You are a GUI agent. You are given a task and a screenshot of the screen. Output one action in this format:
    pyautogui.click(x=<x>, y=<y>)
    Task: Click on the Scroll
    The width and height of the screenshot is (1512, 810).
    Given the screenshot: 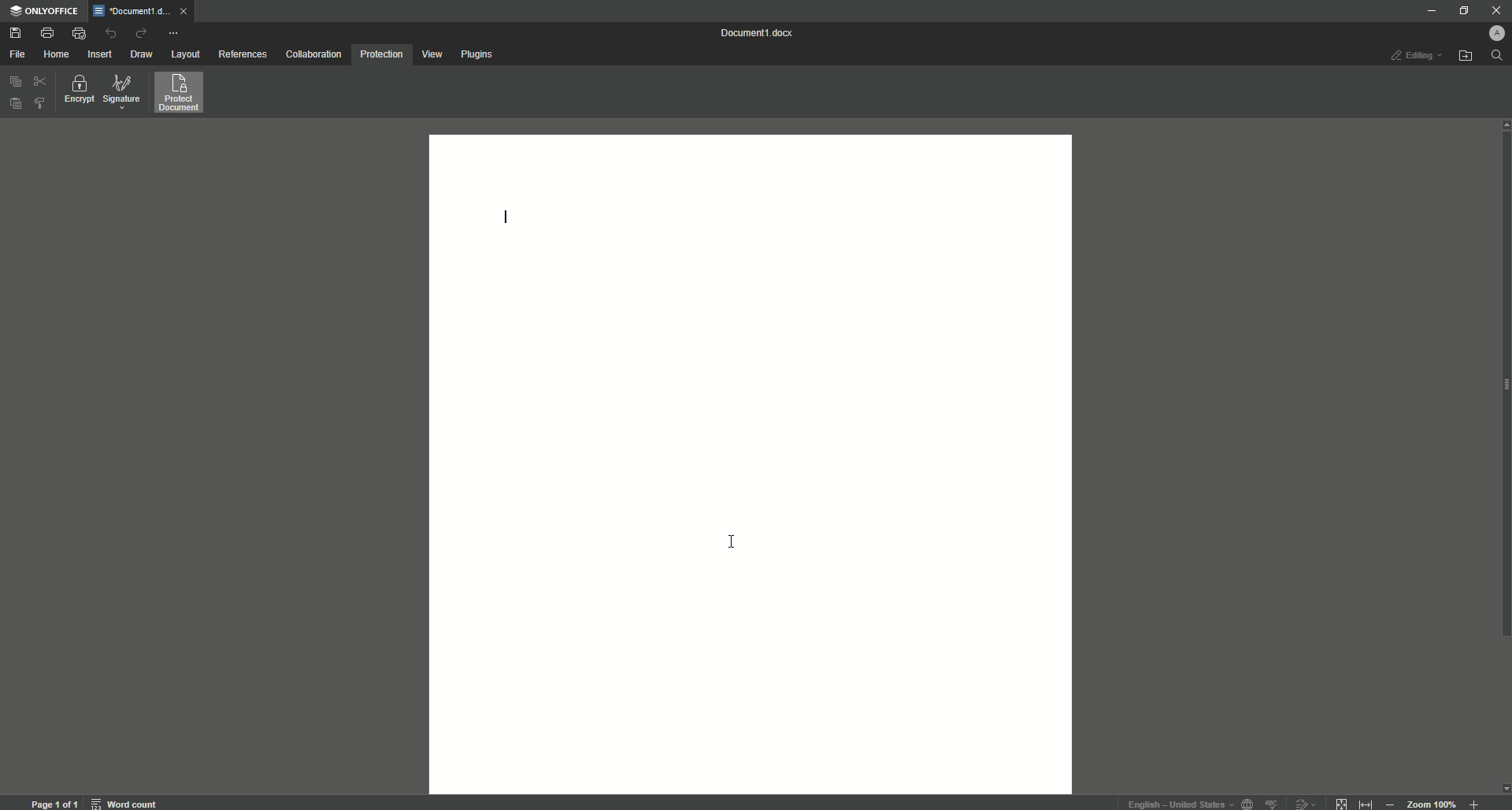 What is the action you would take?
    pyautogui.click(x=1503, y=422)
    